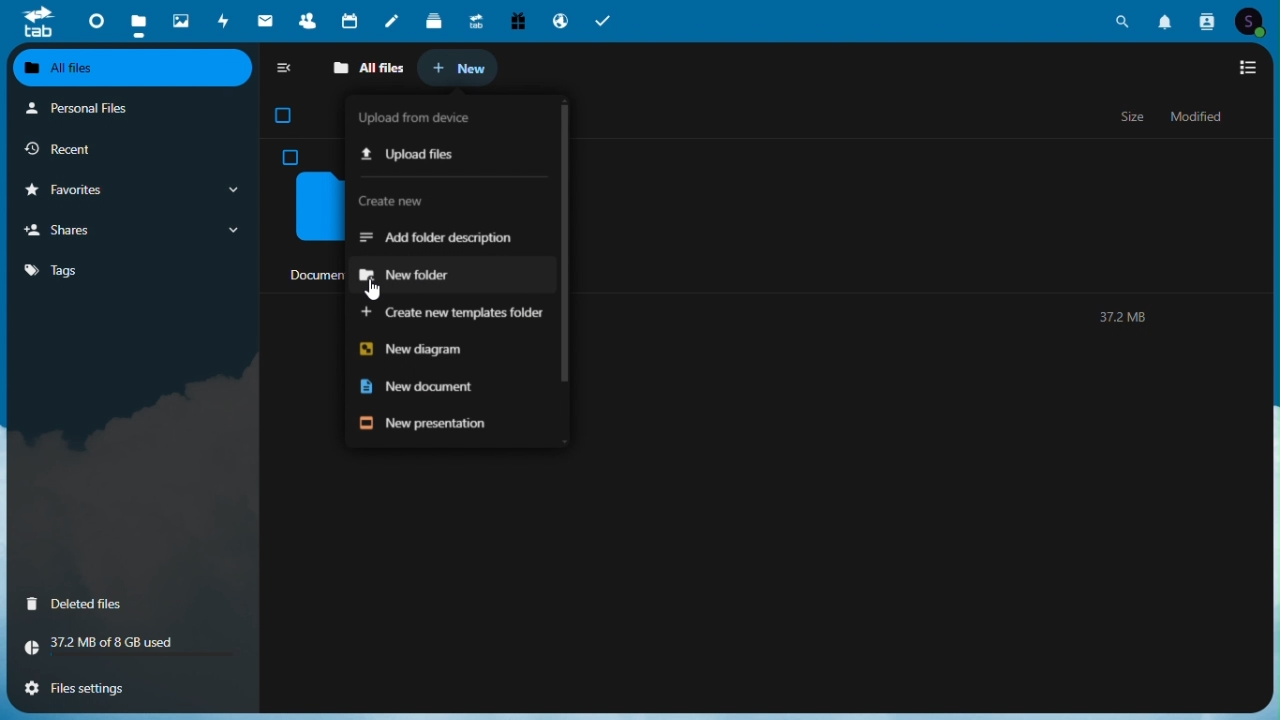 Image resolution: width=1280 pixels, height=720 pixels. What do you see at coordinates (126, 192) in the screenshot?
I see `Favorites` at bounding box center [126, 192].